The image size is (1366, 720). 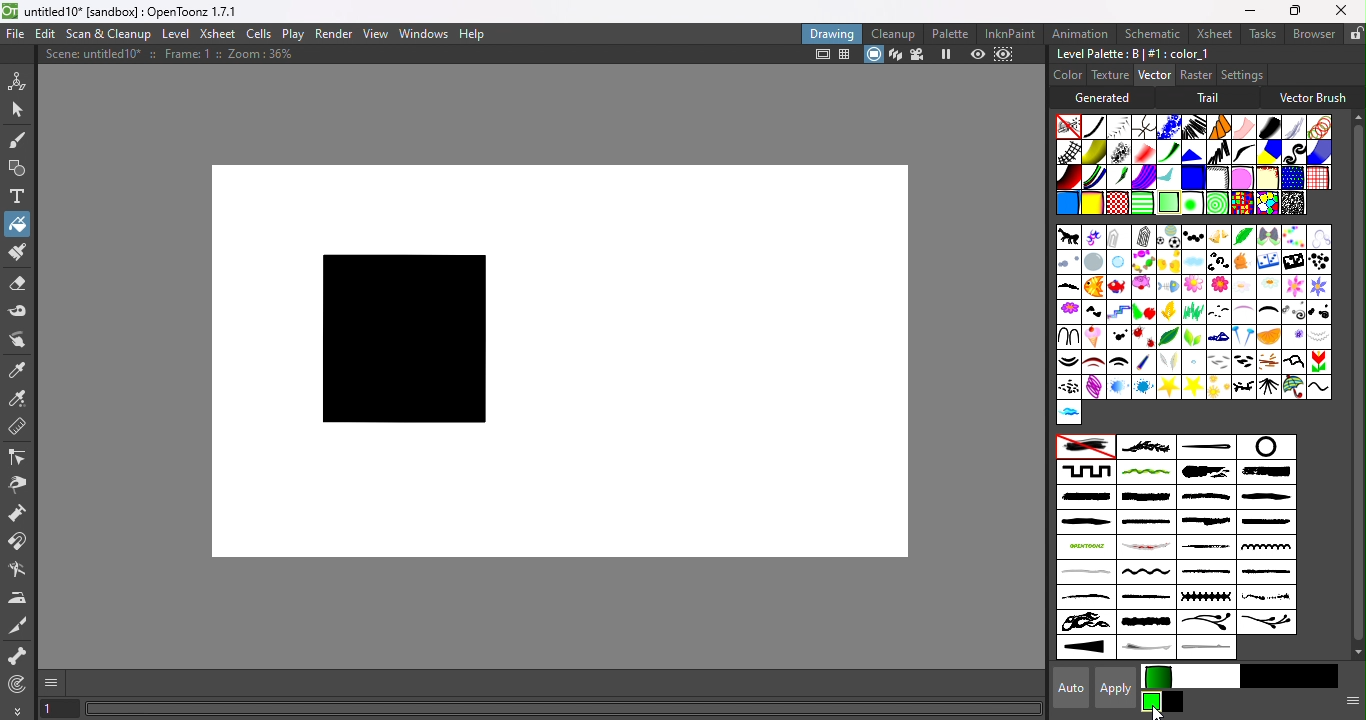 What do you see at coordinates (1142, 311) in the screenshot?
I see `fruit` at bounding box center [1142, 311].